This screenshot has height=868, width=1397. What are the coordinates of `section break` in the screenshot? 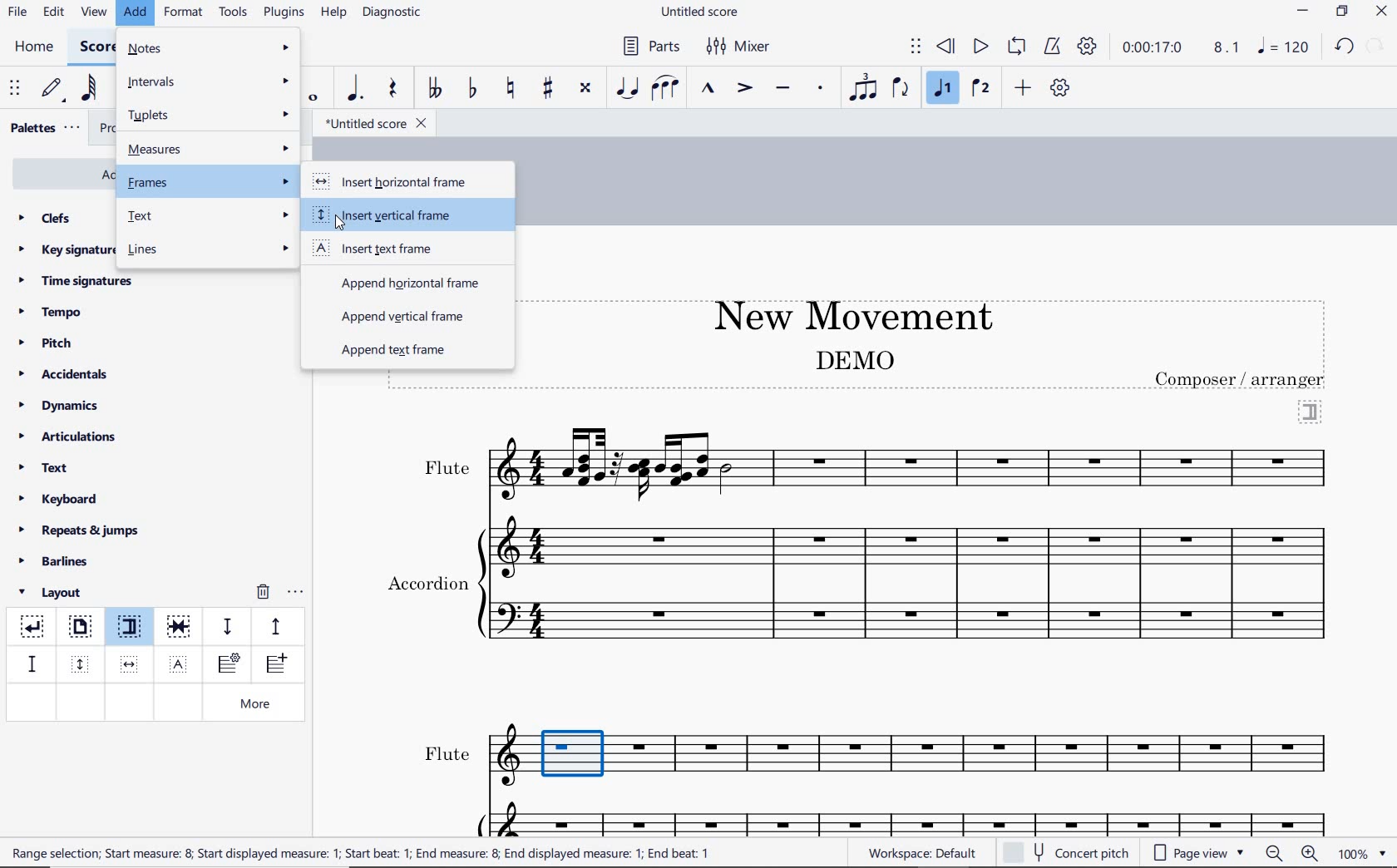 It's located at (133, 629).